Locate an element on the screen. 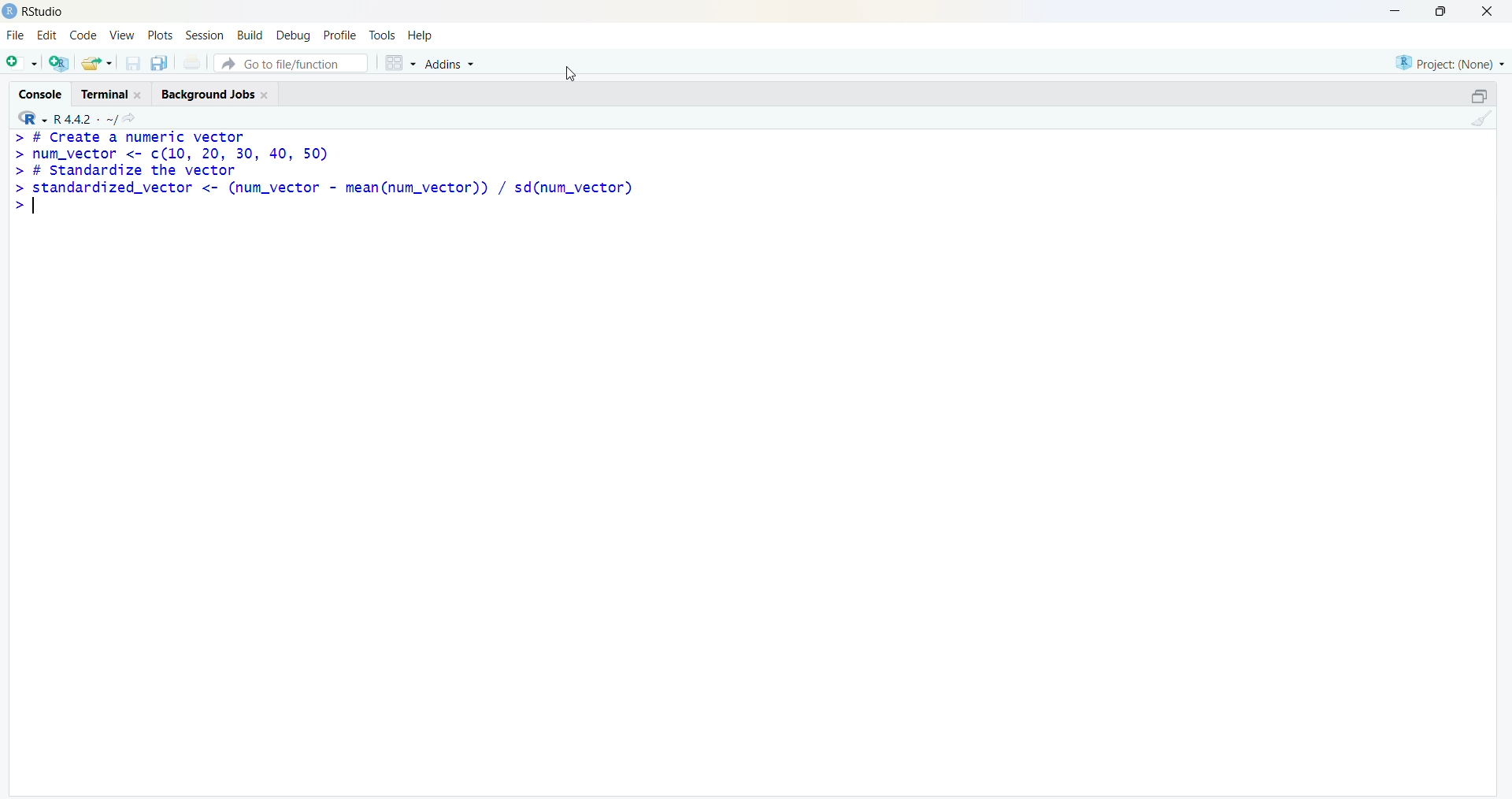 The height and width of the screenshot is (799, 1512). open in separate window is located at coordinates (1481, 95).